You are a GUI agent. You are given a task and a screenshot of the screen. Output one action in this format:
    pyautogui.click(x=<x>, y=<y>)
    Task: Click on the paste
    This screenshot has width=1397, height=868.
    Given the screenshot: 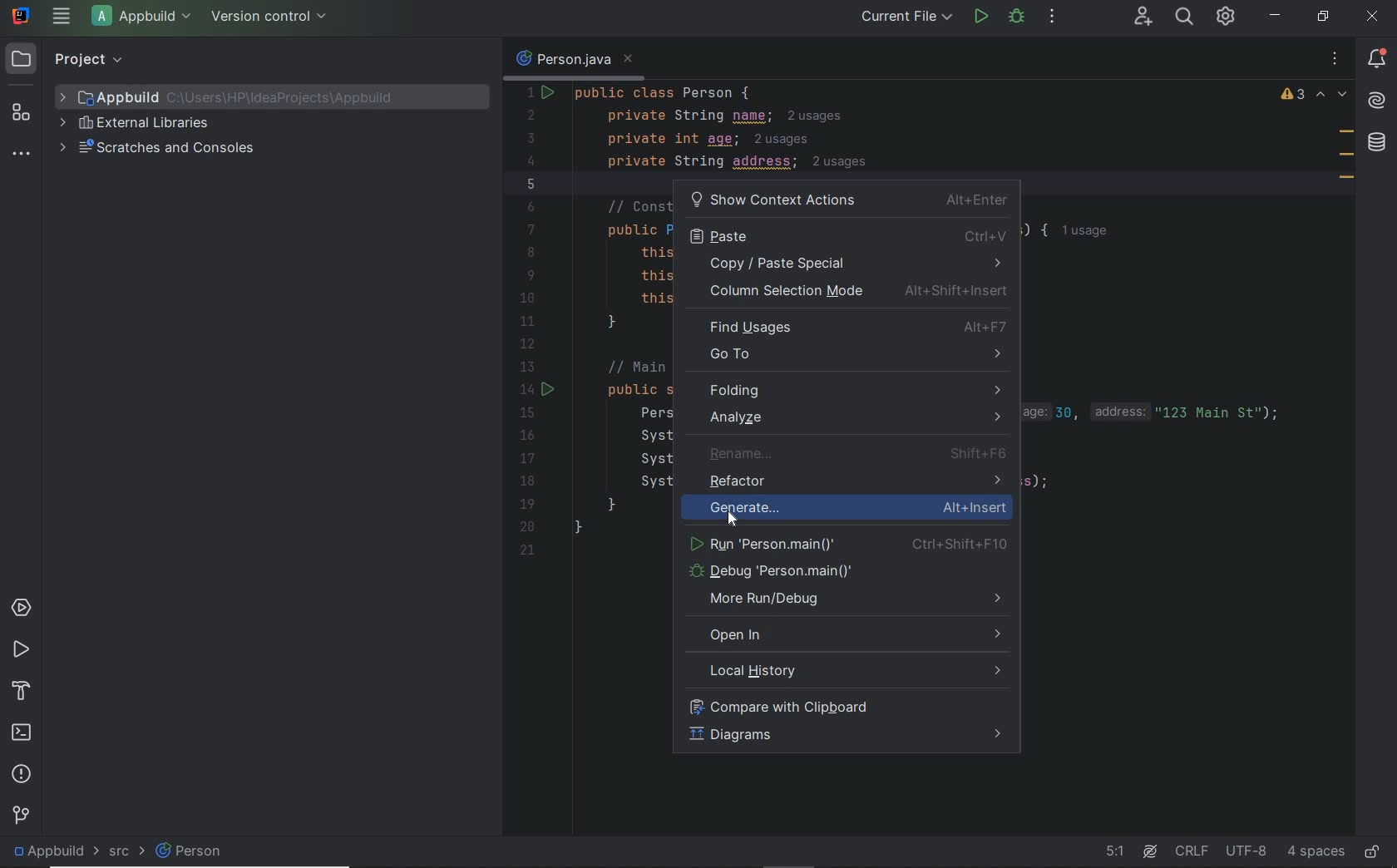 What is the action you would take?
    pyautogui.click(x=847, y=234)
    